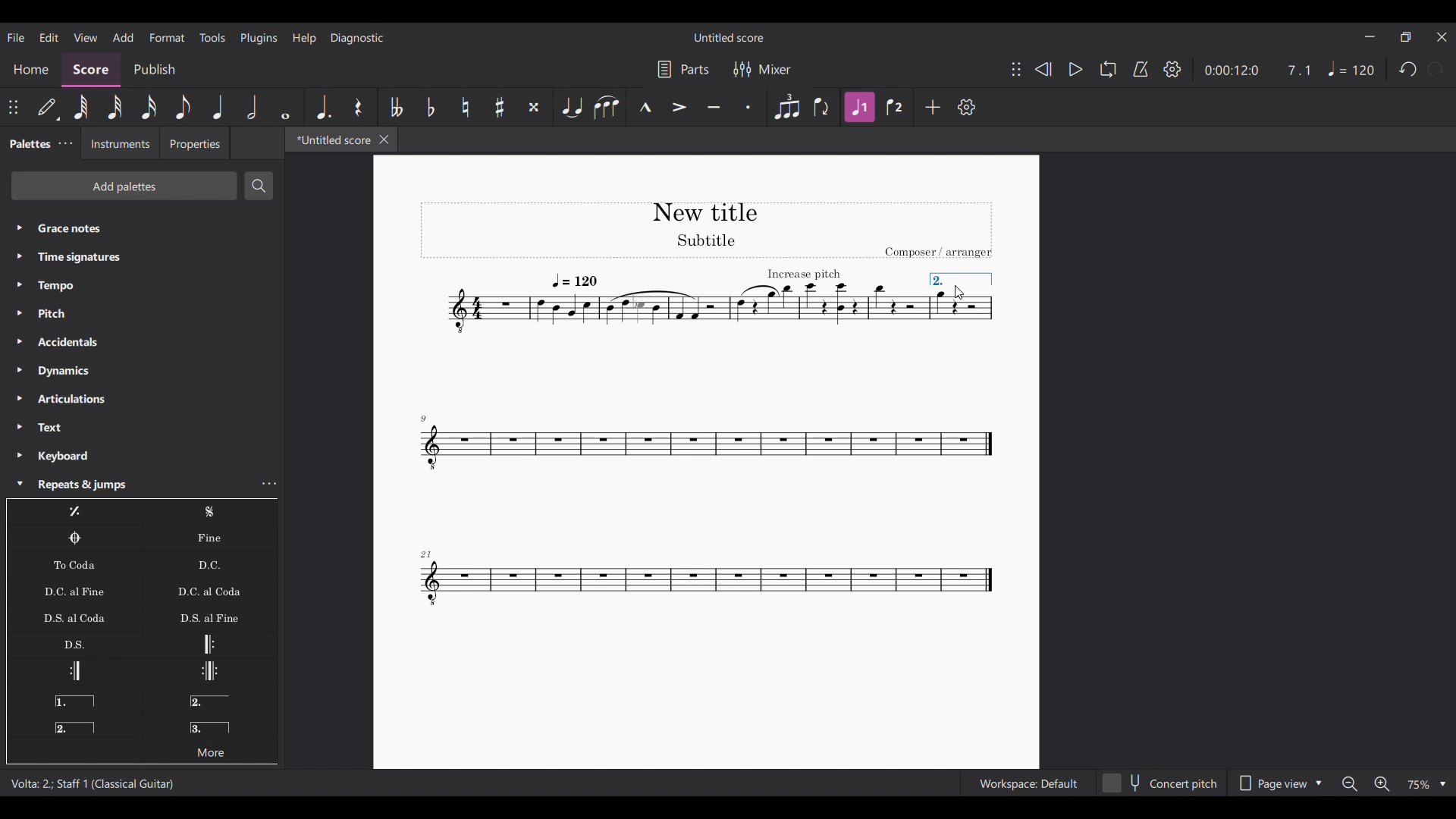  I want to click on Left (start) repeat sign, so click(209, 644).